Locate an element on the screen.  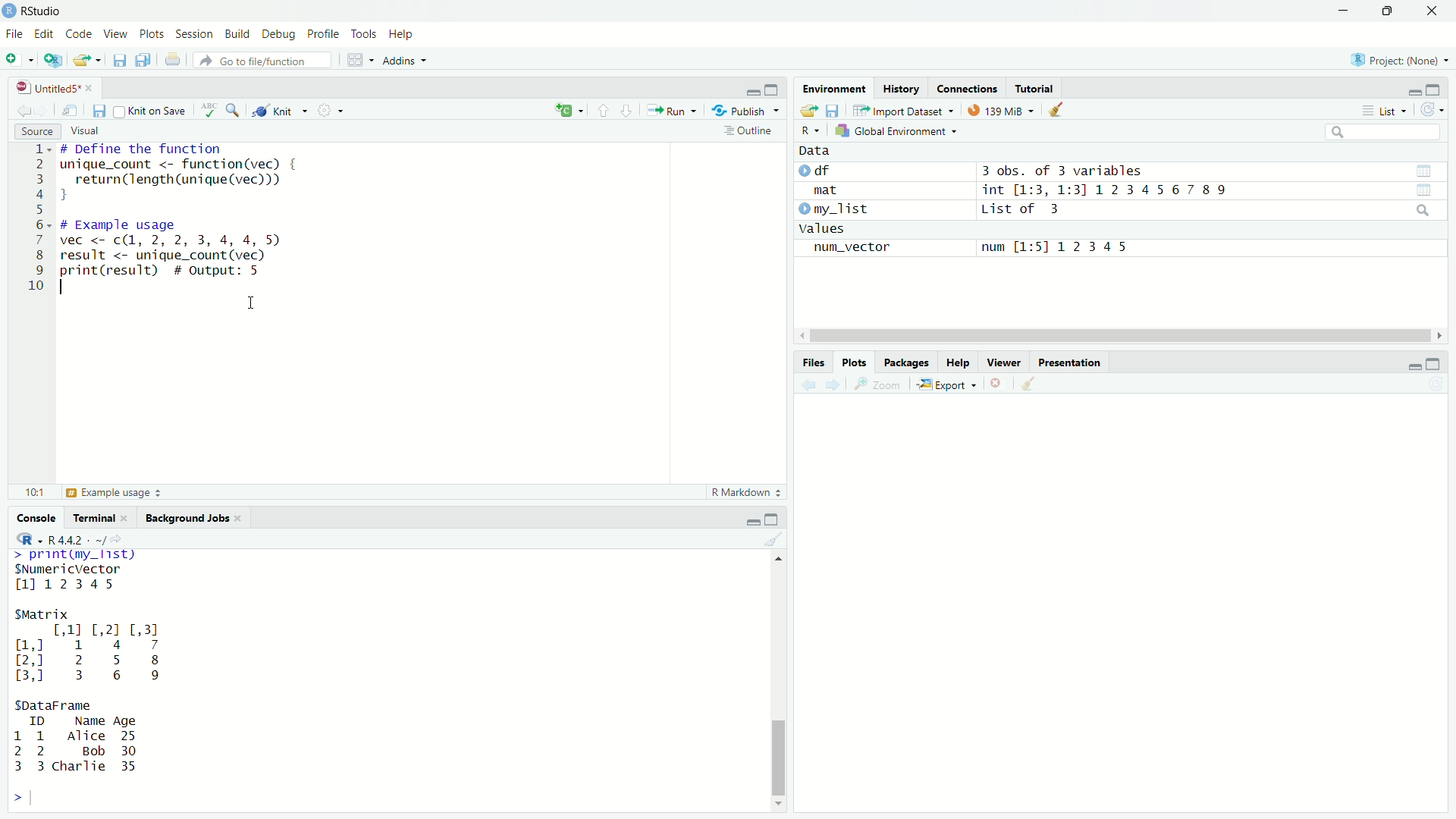
RStudio is located at coordinates (43, 11).